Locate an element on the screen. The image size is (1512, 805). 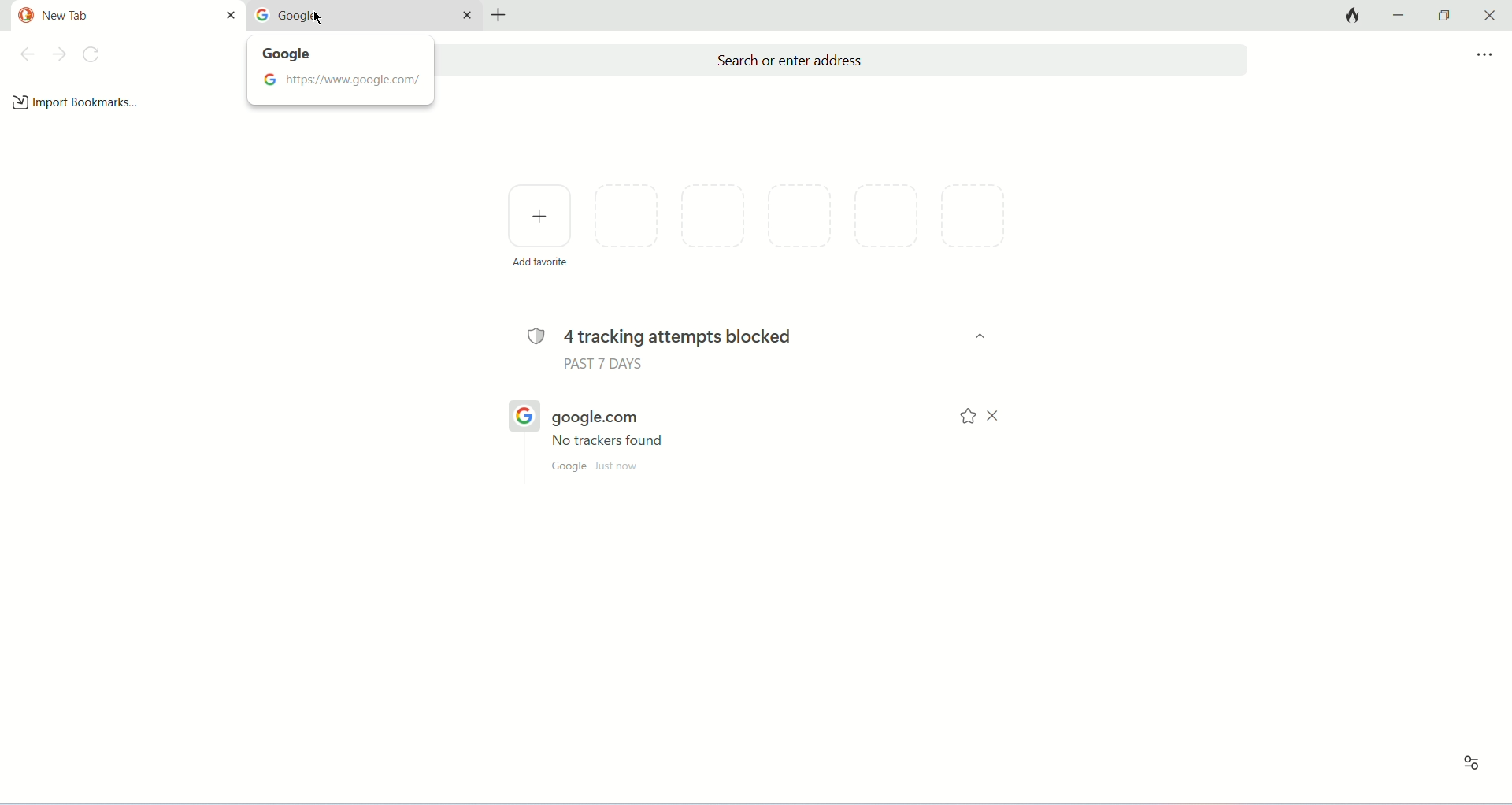
tracking logo is located at coordinates (535, 336).